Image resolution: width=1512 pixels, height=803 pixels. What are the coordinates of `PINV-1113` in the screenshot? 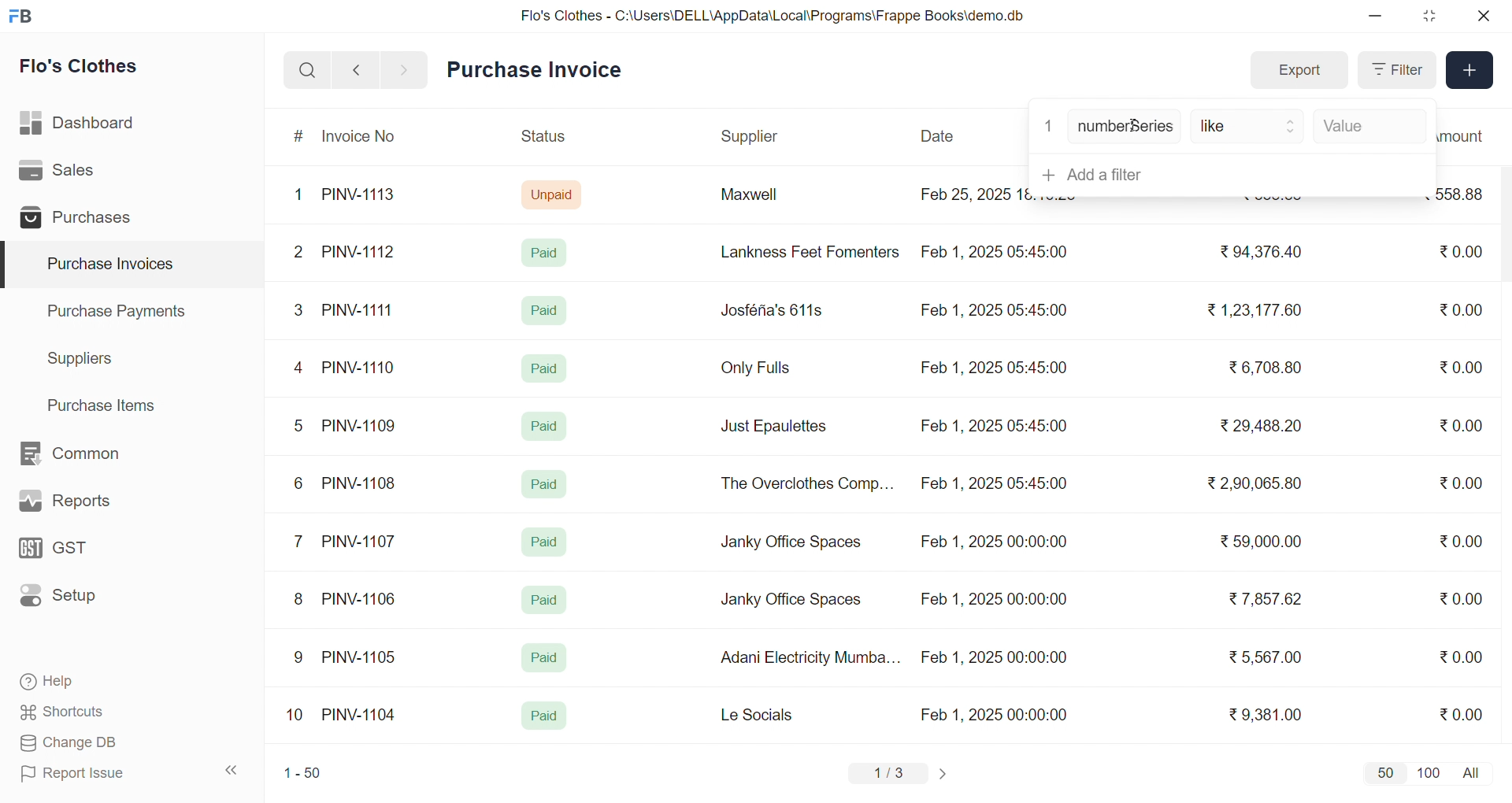 It's located at (365, 196).